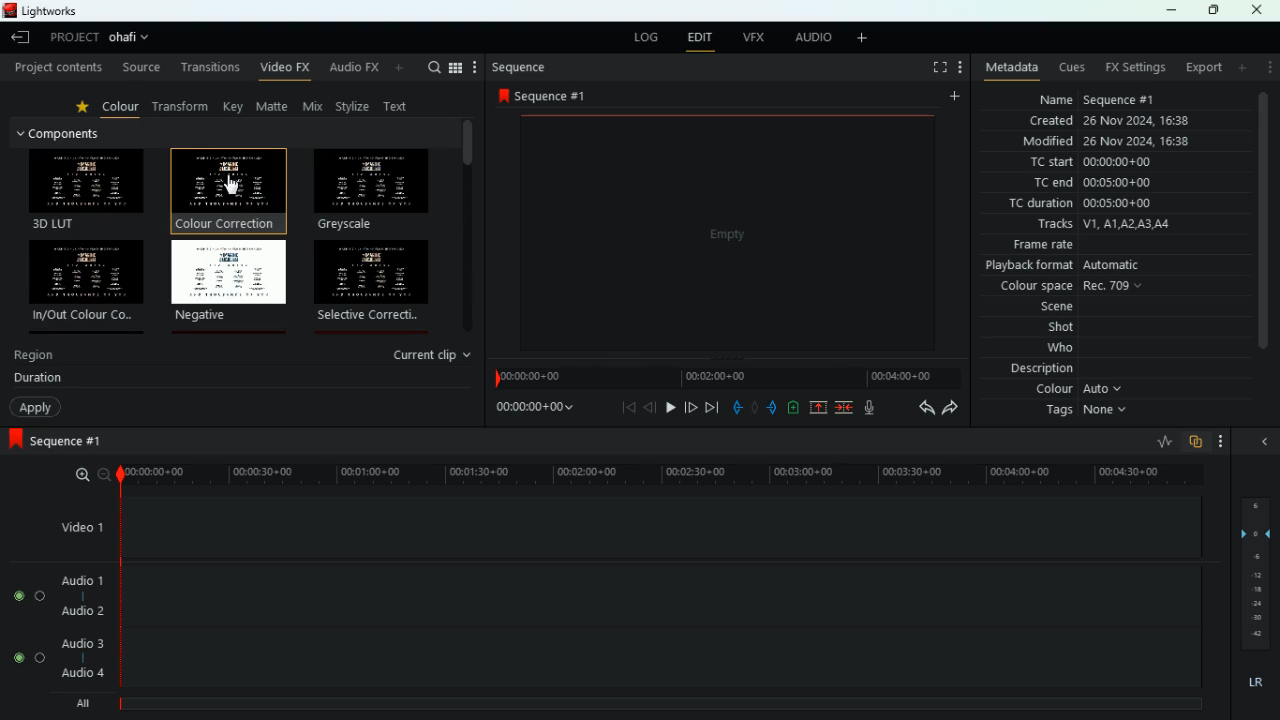  What do you see at coordinates (140, 67) in the screenshot?
I see `source` at bounding box center [140, 67].